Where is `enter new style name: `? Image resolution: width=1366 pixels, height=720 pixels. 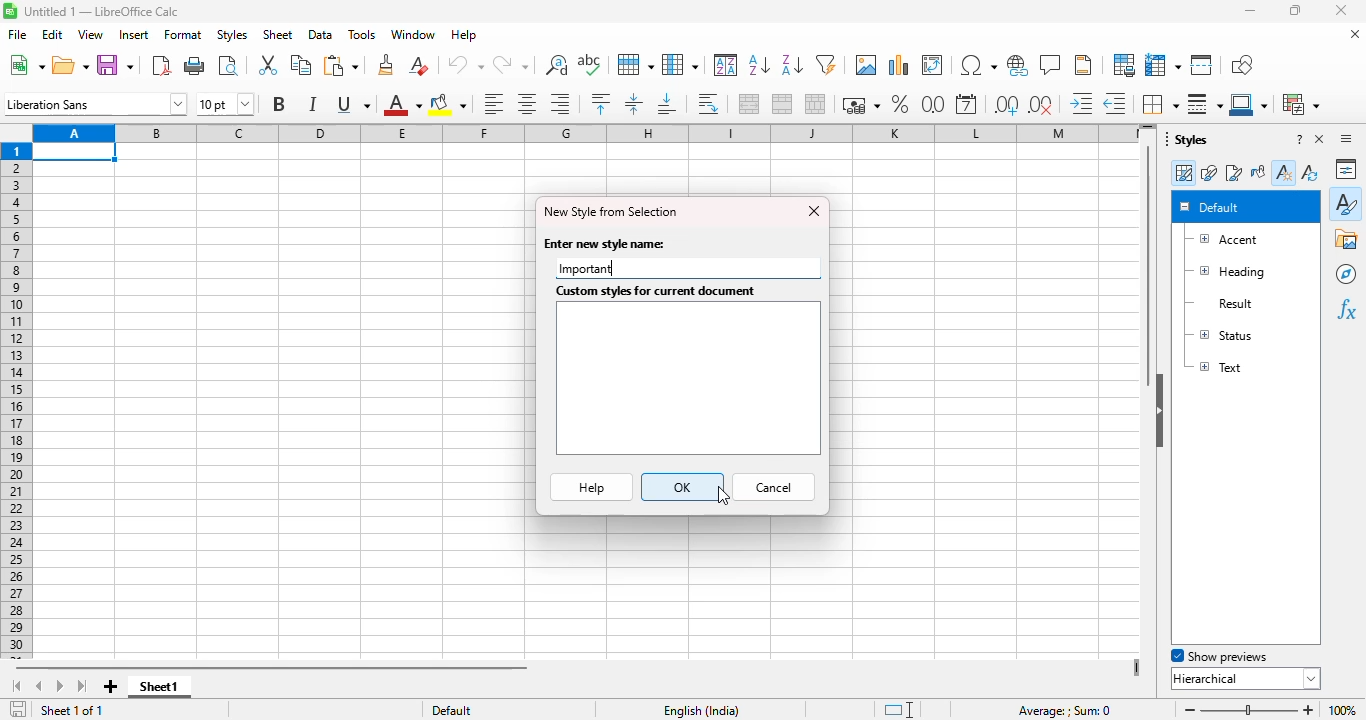 enter new style name:  is located at coordinates (604, 244).